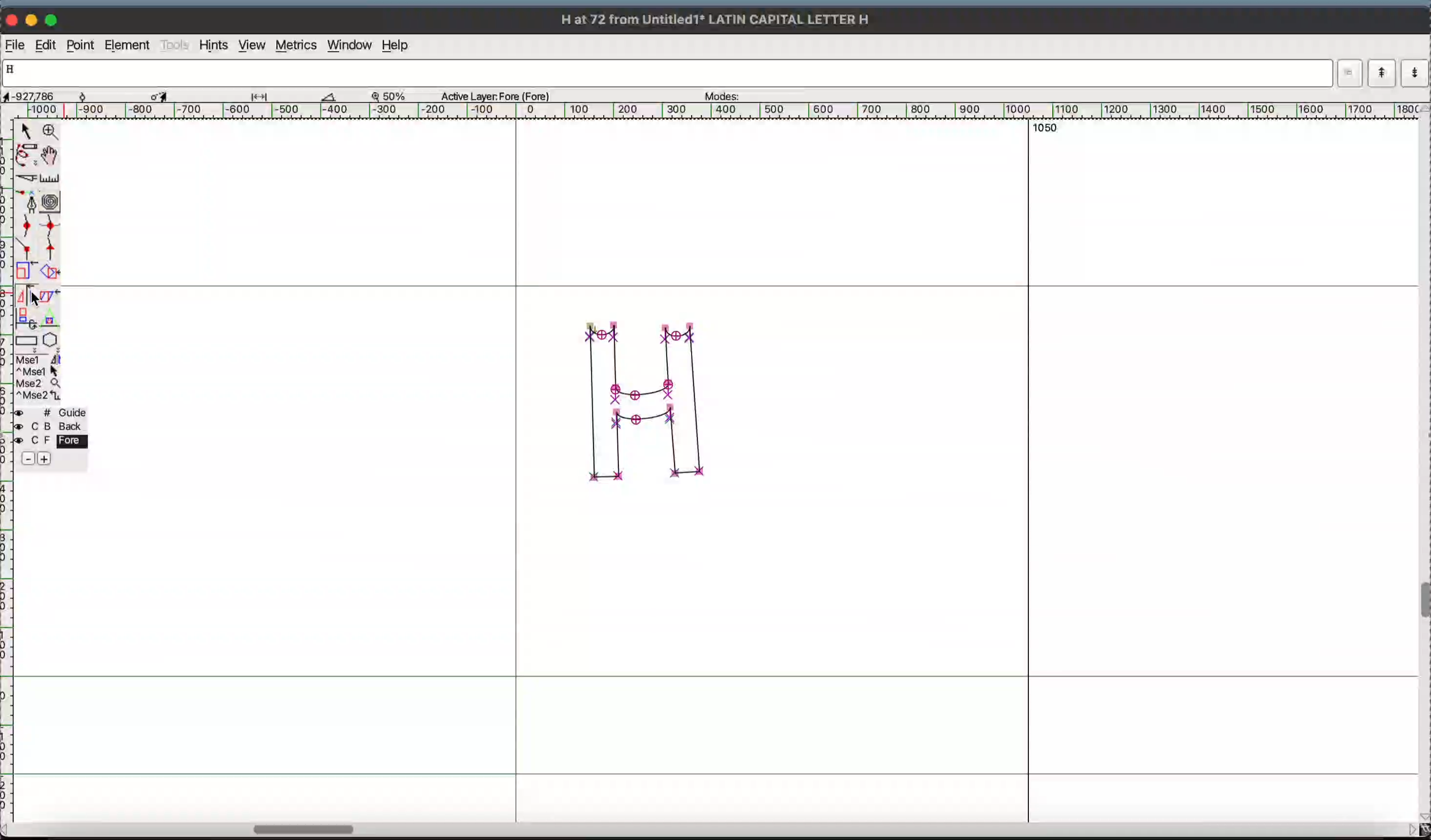 This screenshot has height=840, width=1431. What do you see at coordinates (47, 44) in the screenshot?
I see `Edit` at bounding box center [47, 44].